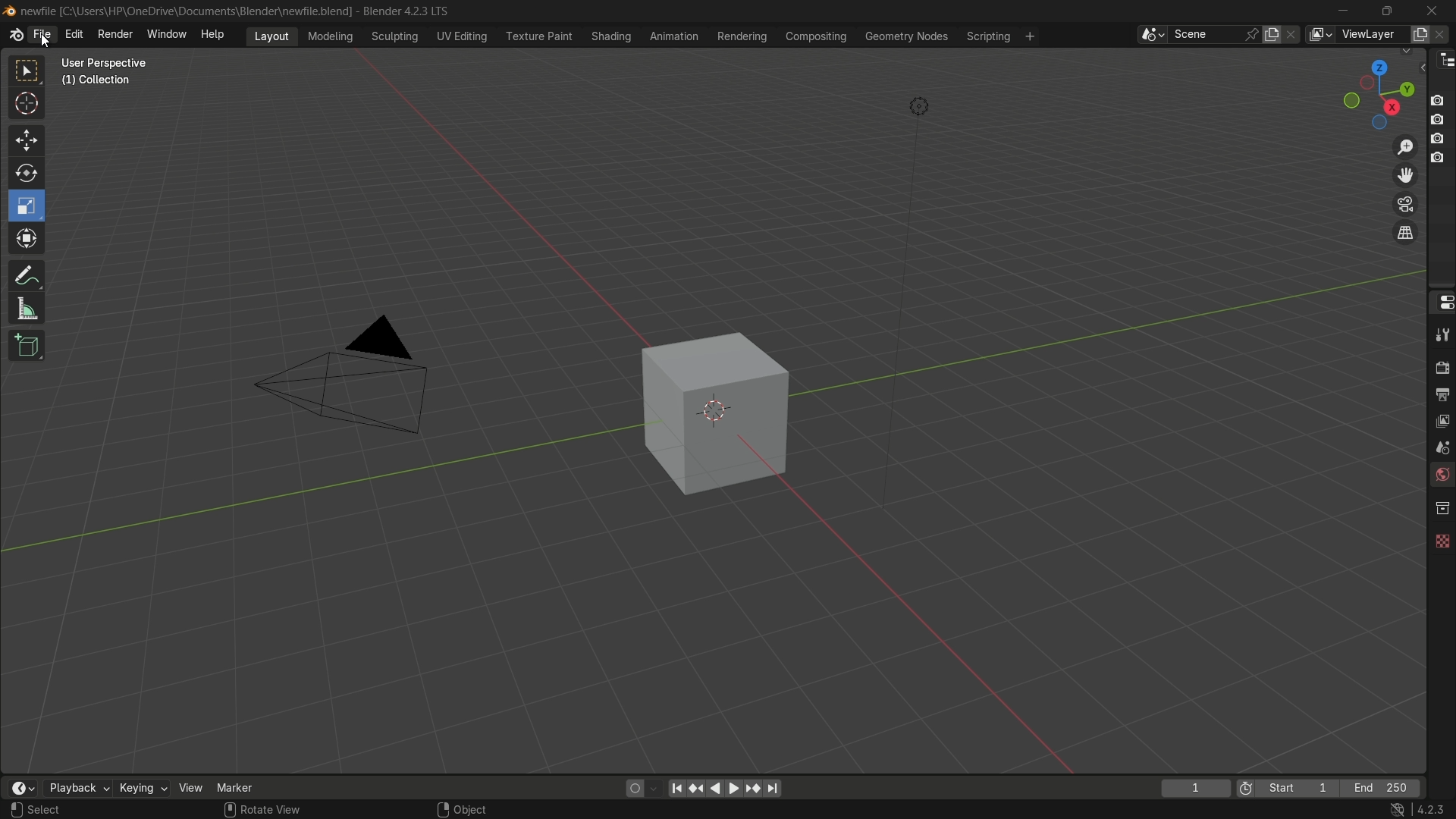 The height and width of the screenshot is (819, 1456). Describe the element at coordinates (1432, 10) in the screenshot. I see `close app` at that location.